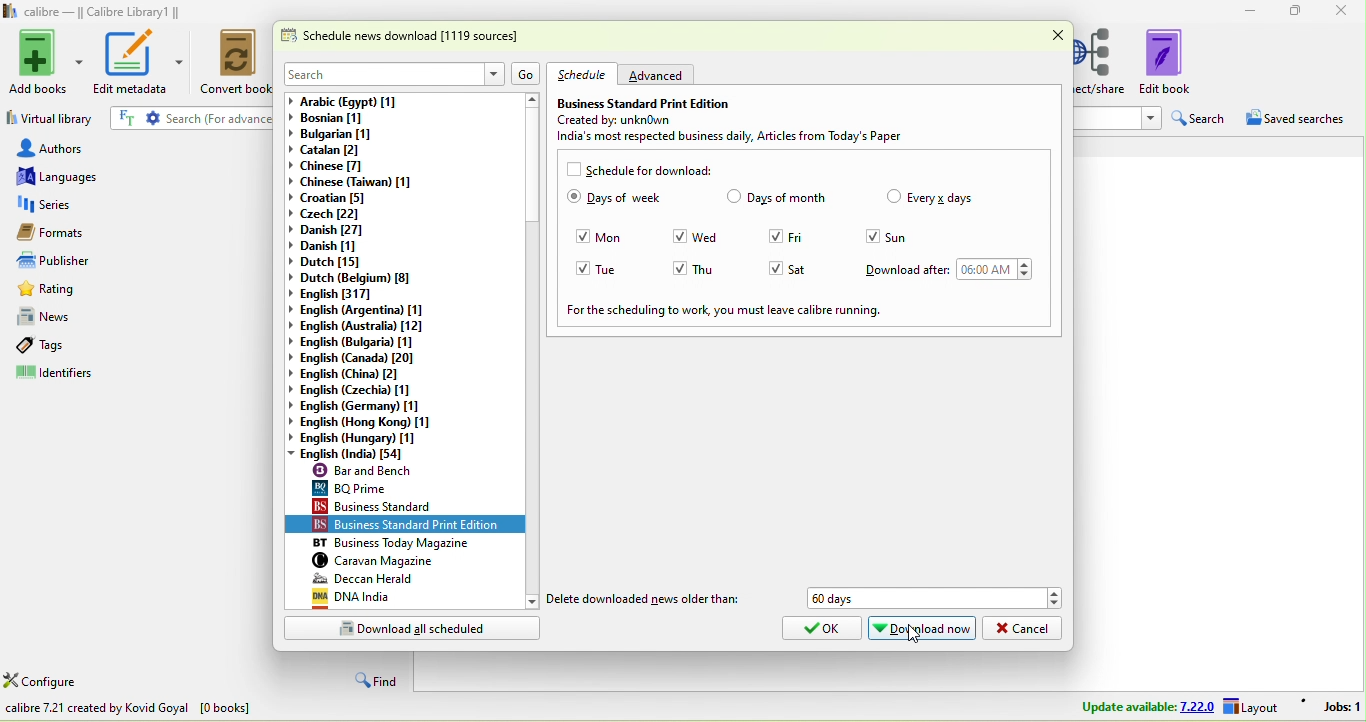  What do you see at coordinates (140, 177) in the screenshot?
I see `languages` at bounding box center [140, 177].